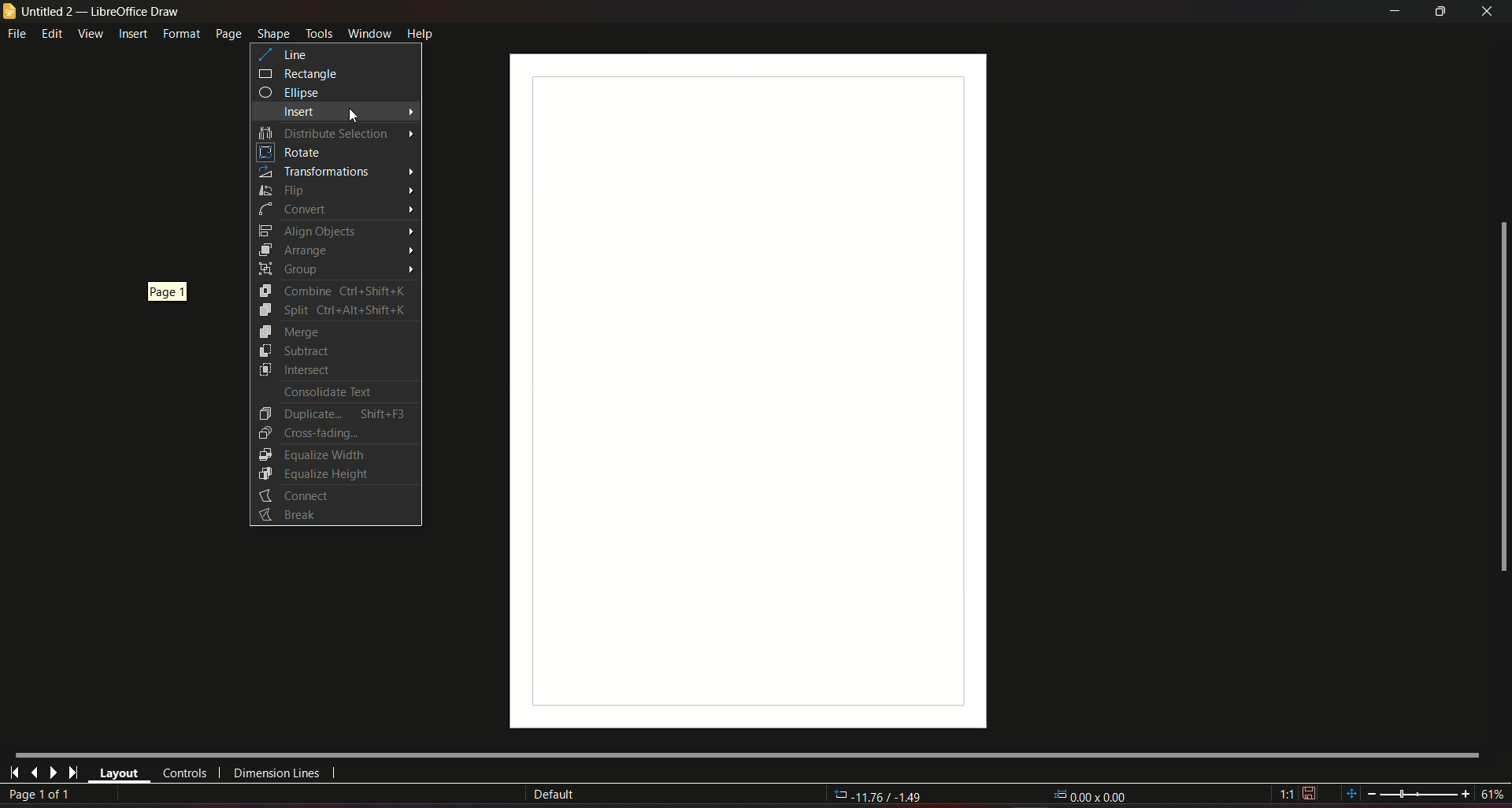 The width and height of the screenshot is (1512, 808). What do you see at coordinates (287, 517) in the screenshot?
I see `` at bounding box center [287, 517].